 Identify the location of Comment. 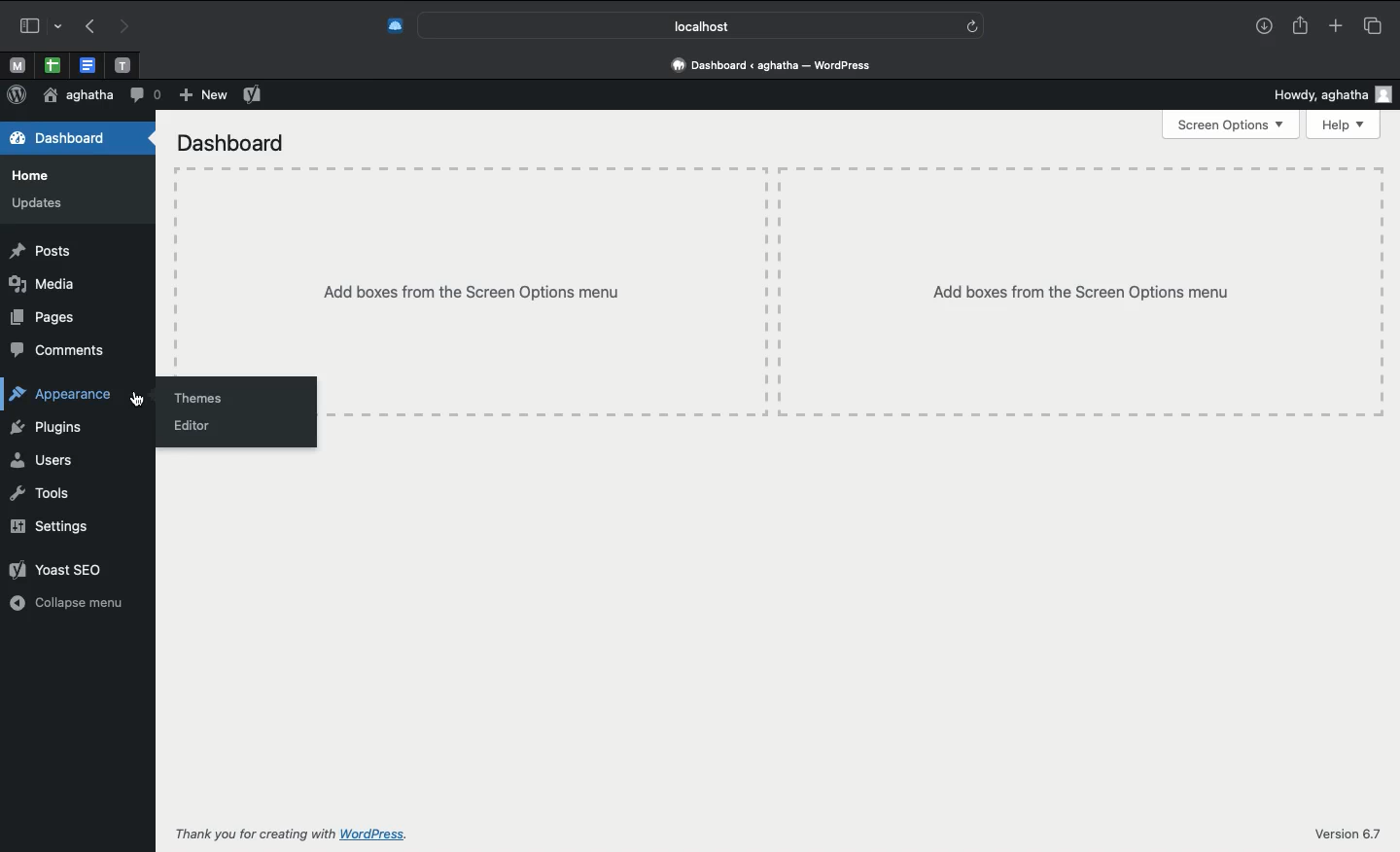
(141, 95).